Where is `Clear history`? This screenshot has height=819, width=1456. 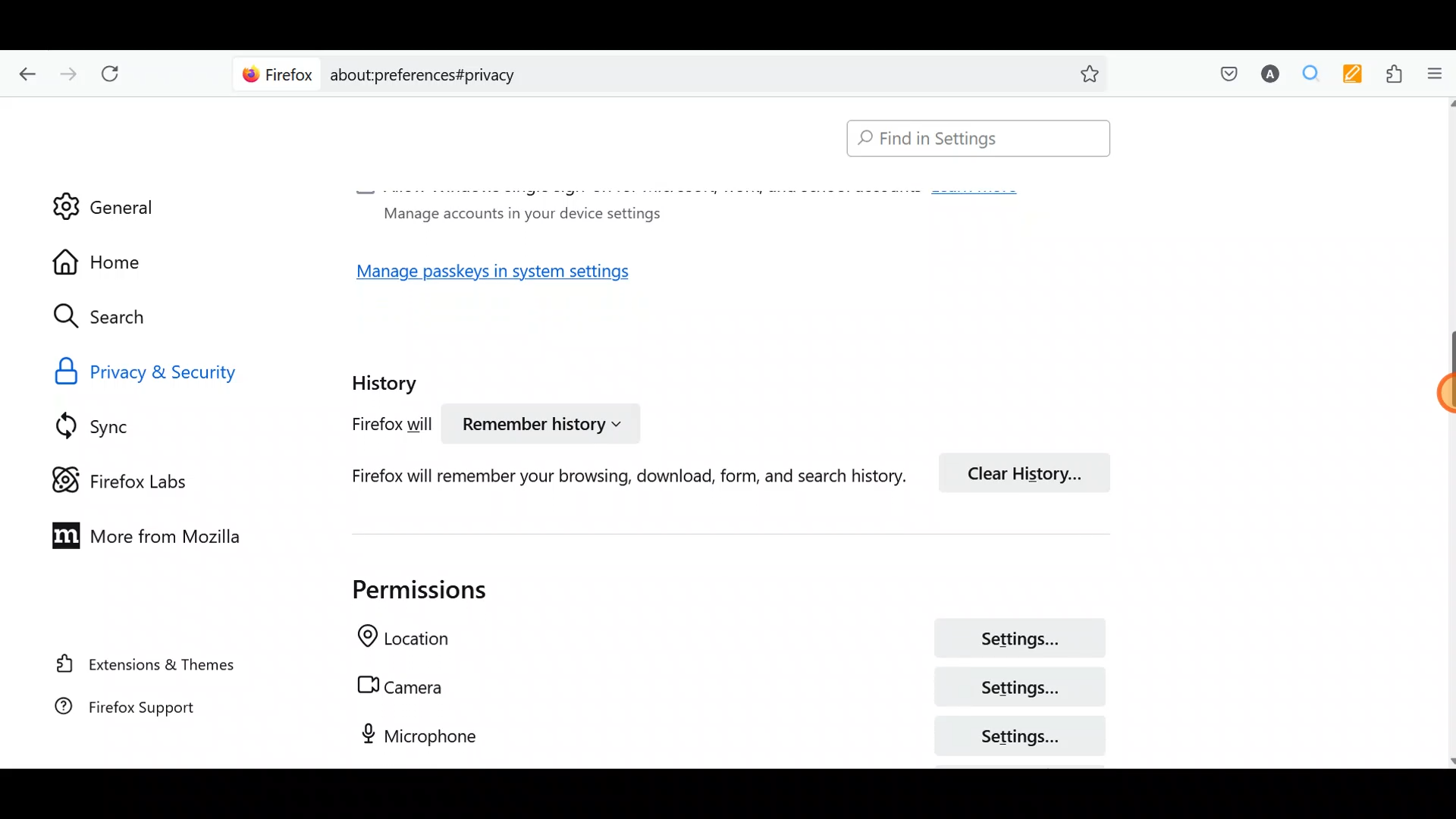
Clear history is located at coordinates (1031, 471).